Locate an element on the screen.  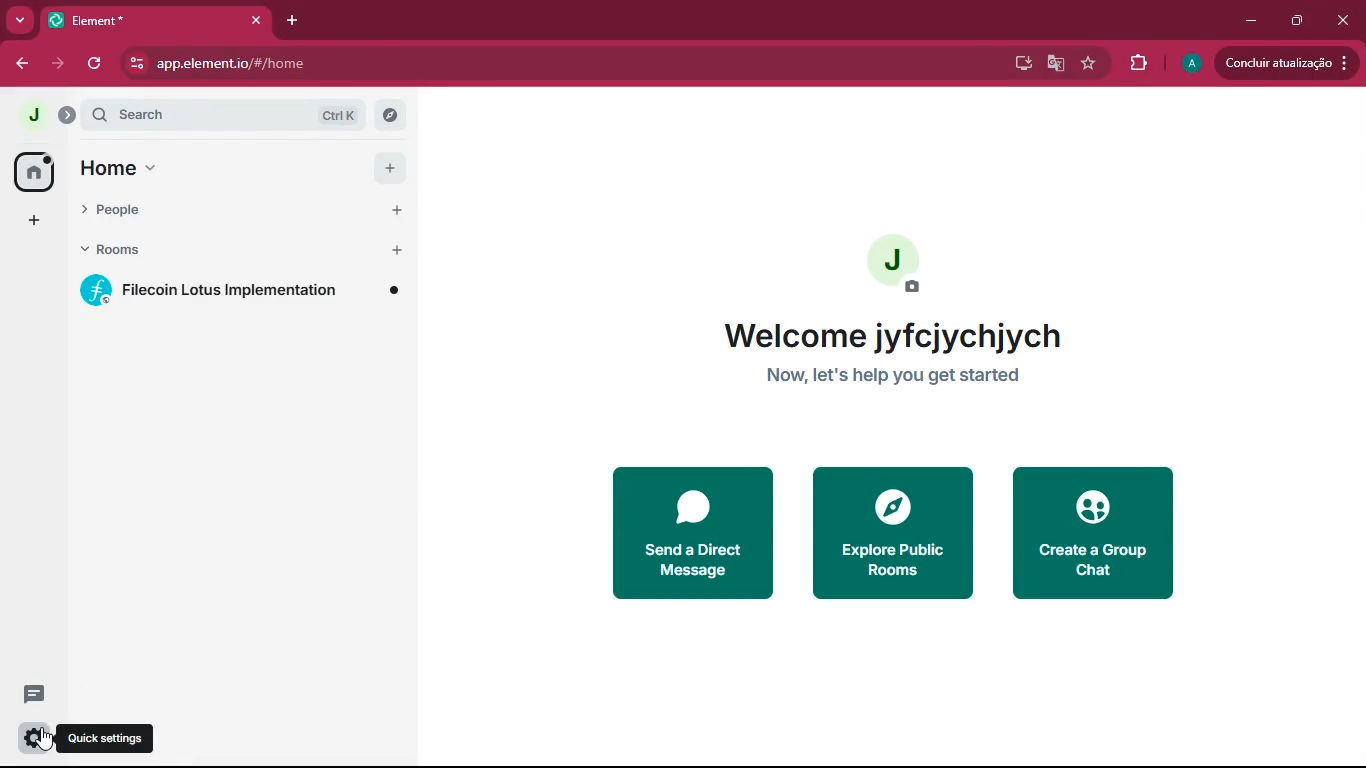
explore is located at coordinates (888, 532).